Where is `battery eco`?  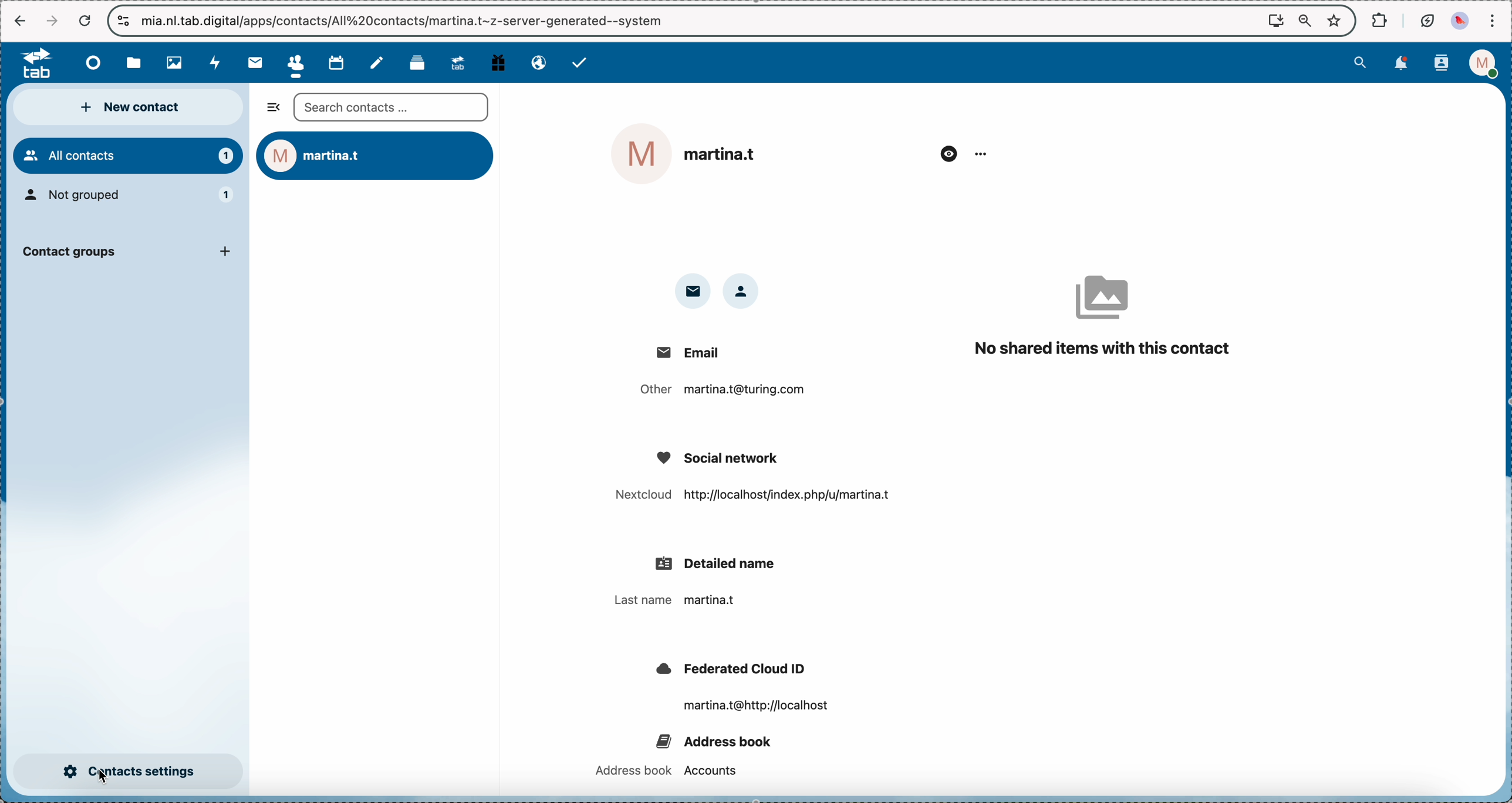
battery eco is located at coordinates (1427, 20).